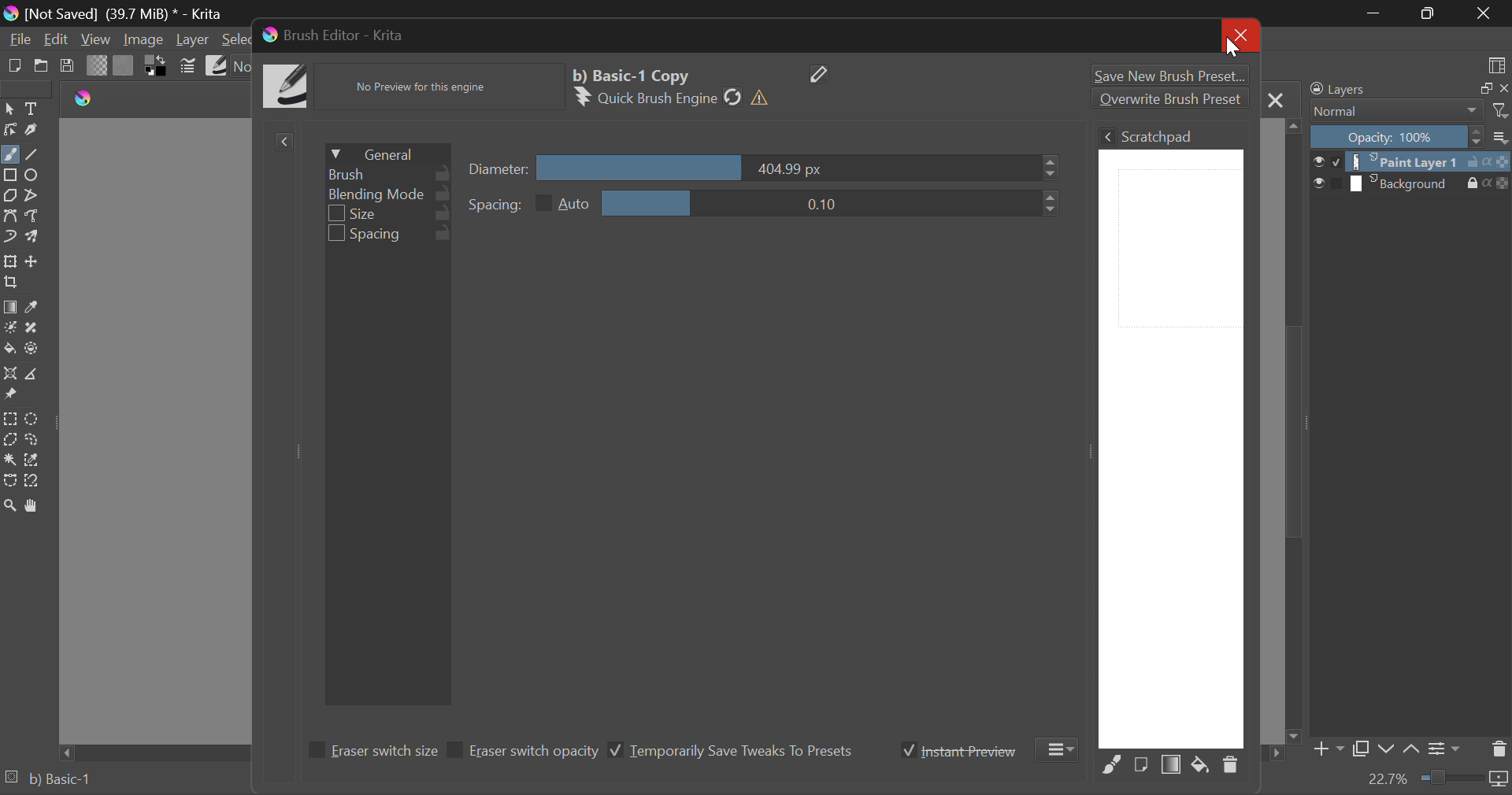  I want to click on Overwrite Brush Preset, so click(1169, 98).